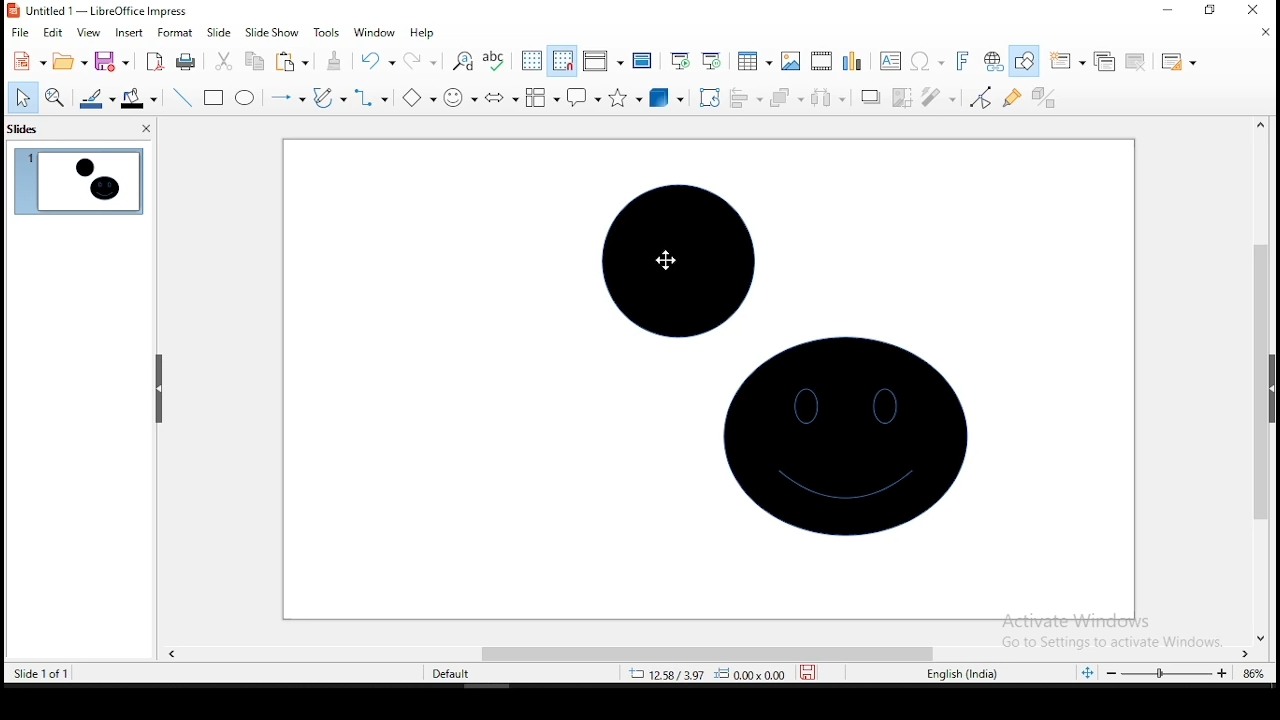 The height and width of the screenshot is (720, 1280). I want to click on default, so click(451, 673).